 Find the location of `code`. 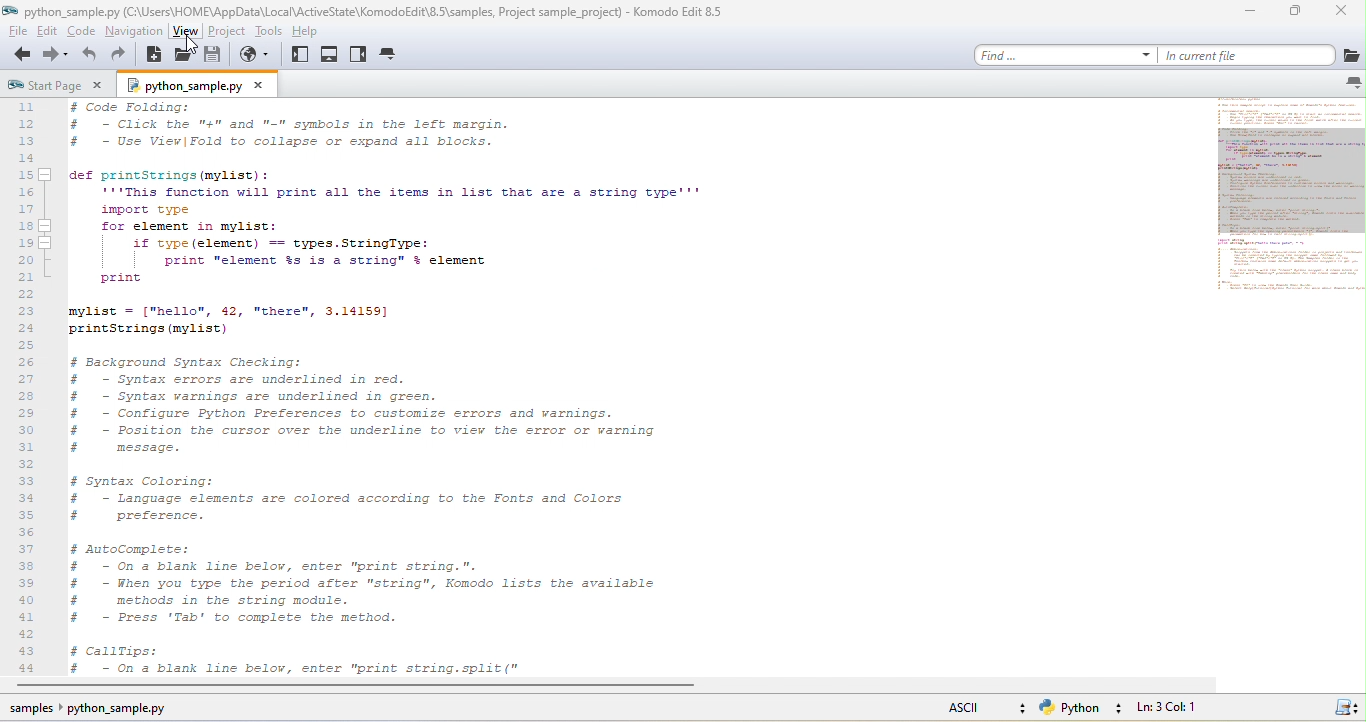

code is located at coordinates (90, 35).